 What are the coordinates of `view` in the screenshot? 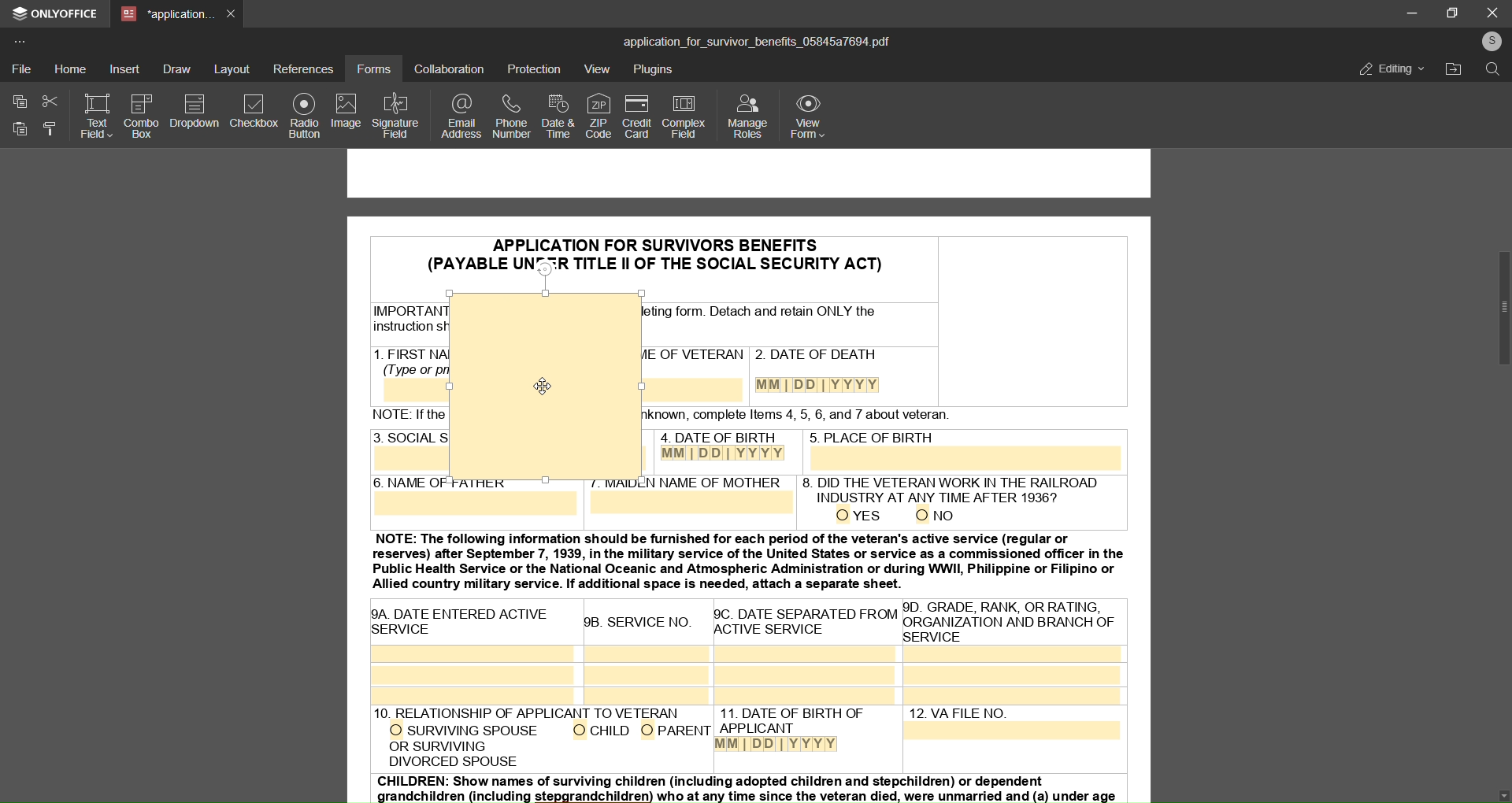 It's located at (597, 70).